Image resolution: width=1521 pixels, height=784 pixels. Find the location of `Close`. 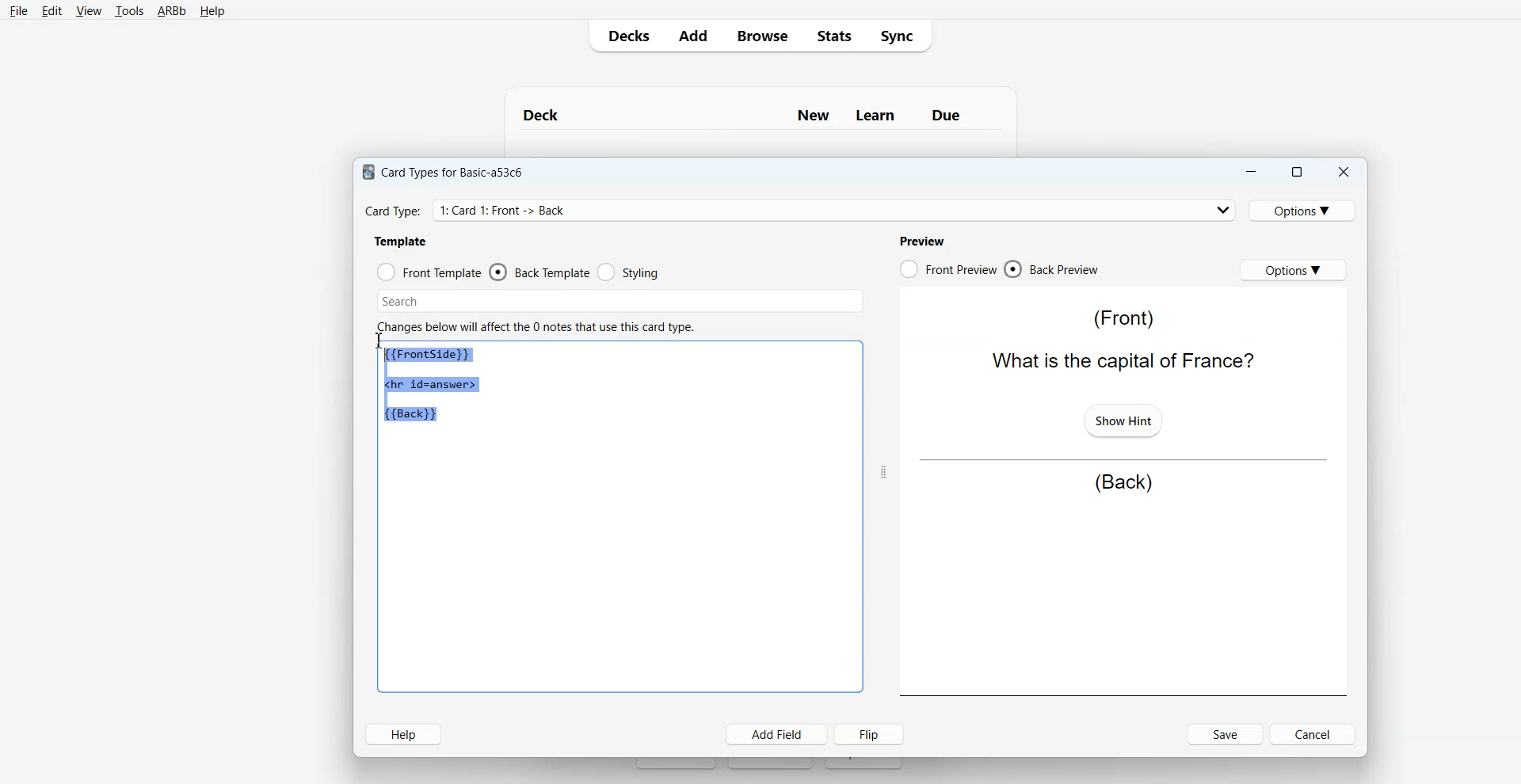

Close is located at coordinates (1343, 173).